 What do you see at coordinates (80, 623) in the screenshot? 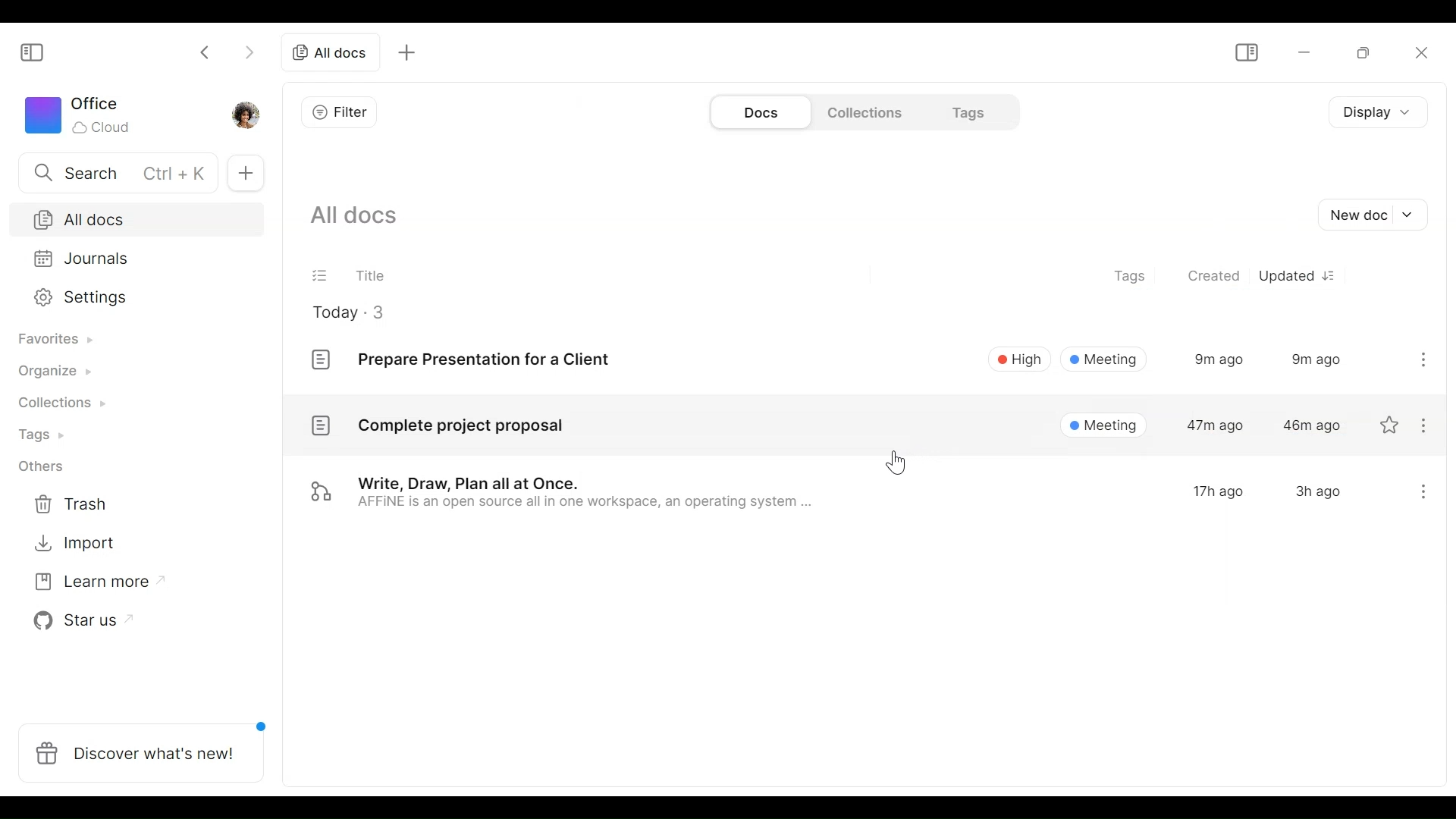
I see `Star us` at bounding box center [80, 623].